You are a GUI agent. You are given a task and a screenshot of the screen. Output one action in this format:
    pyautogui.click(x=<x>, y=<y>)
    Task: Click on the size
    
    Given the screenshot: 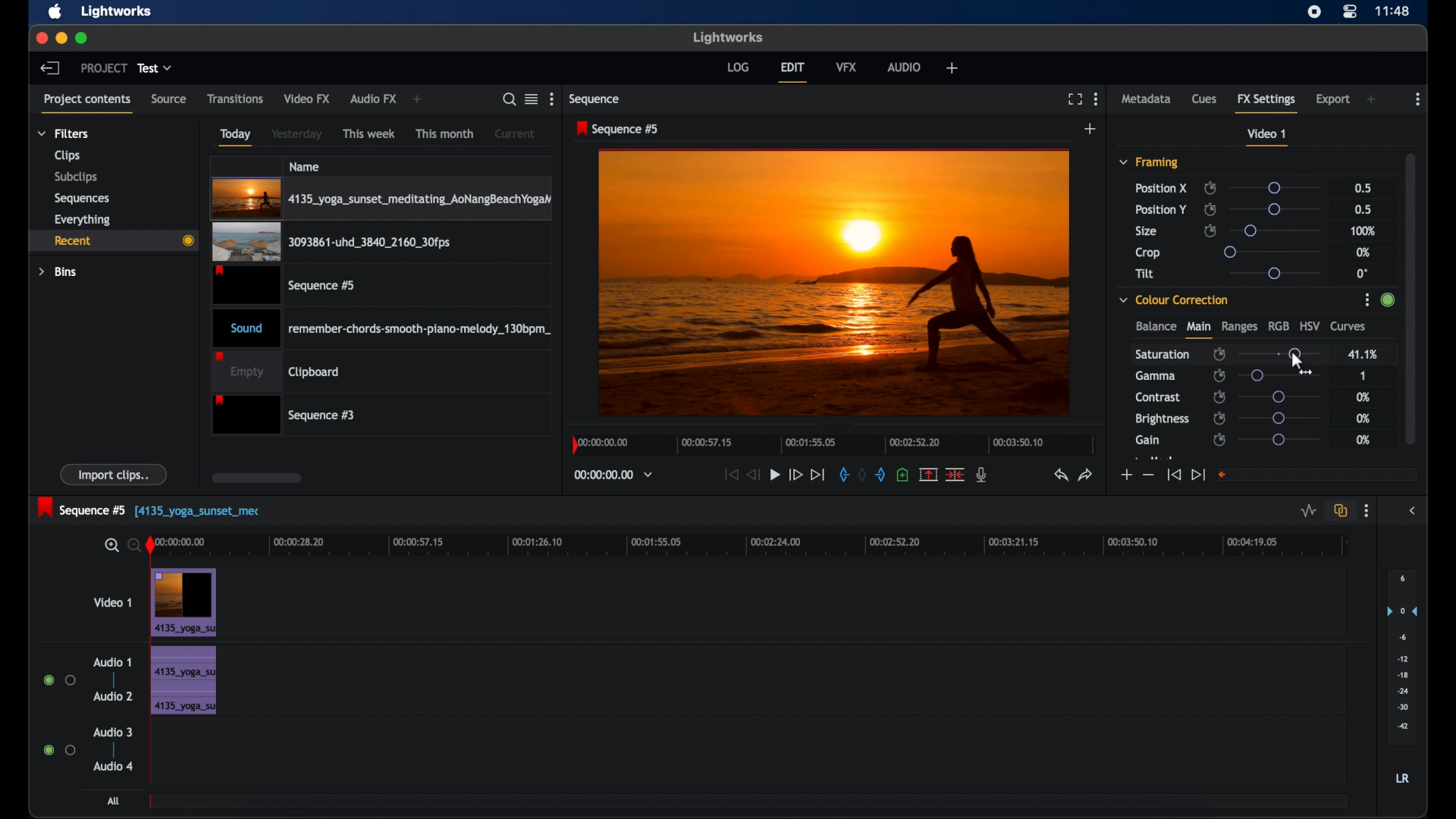 What is the action you would take?
    pyautogui.click(x=1147, y=232)
    